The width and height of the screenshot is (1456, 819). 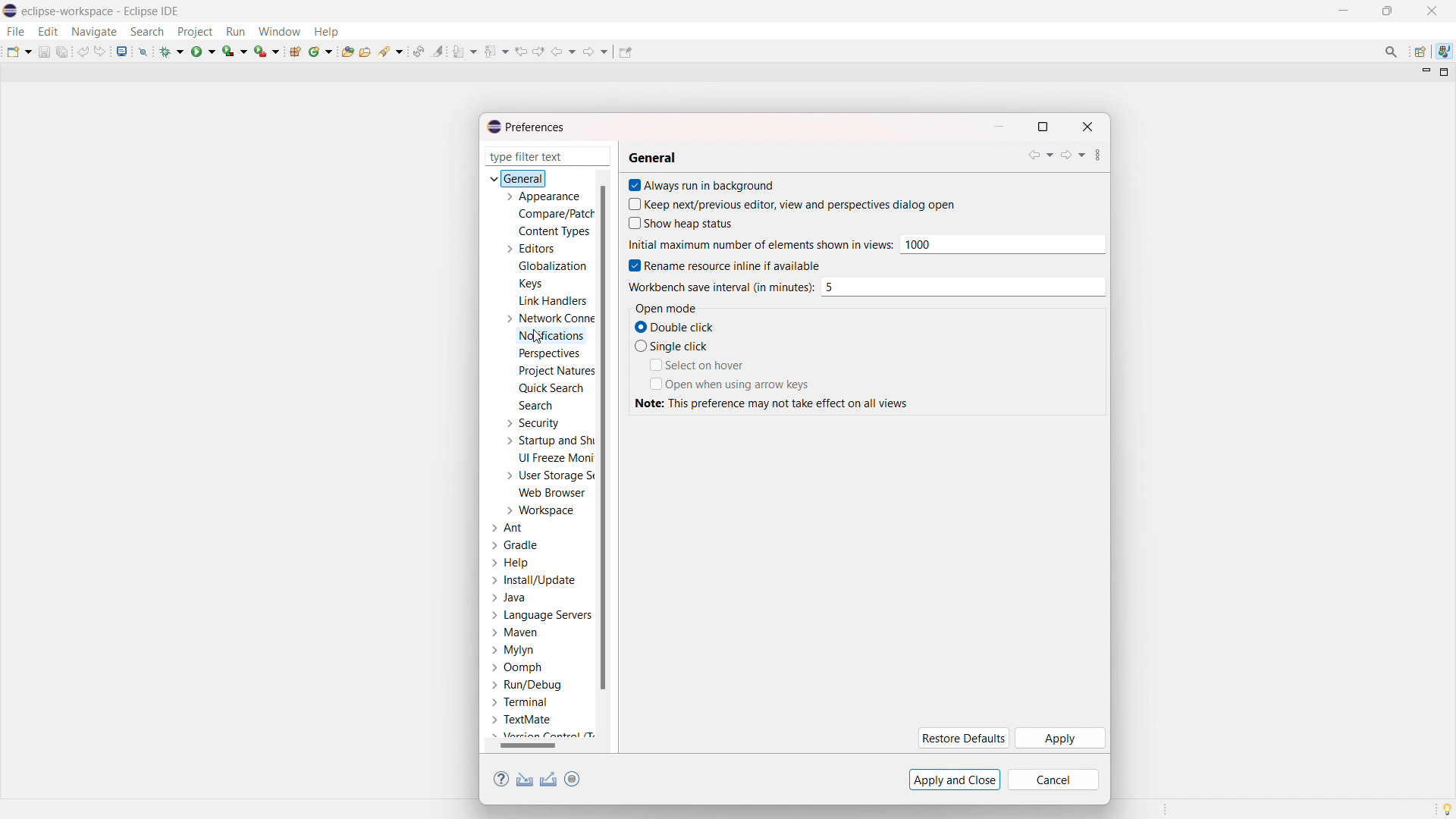 I want to click on skip all breakpoints, so click(x=143, y=51).